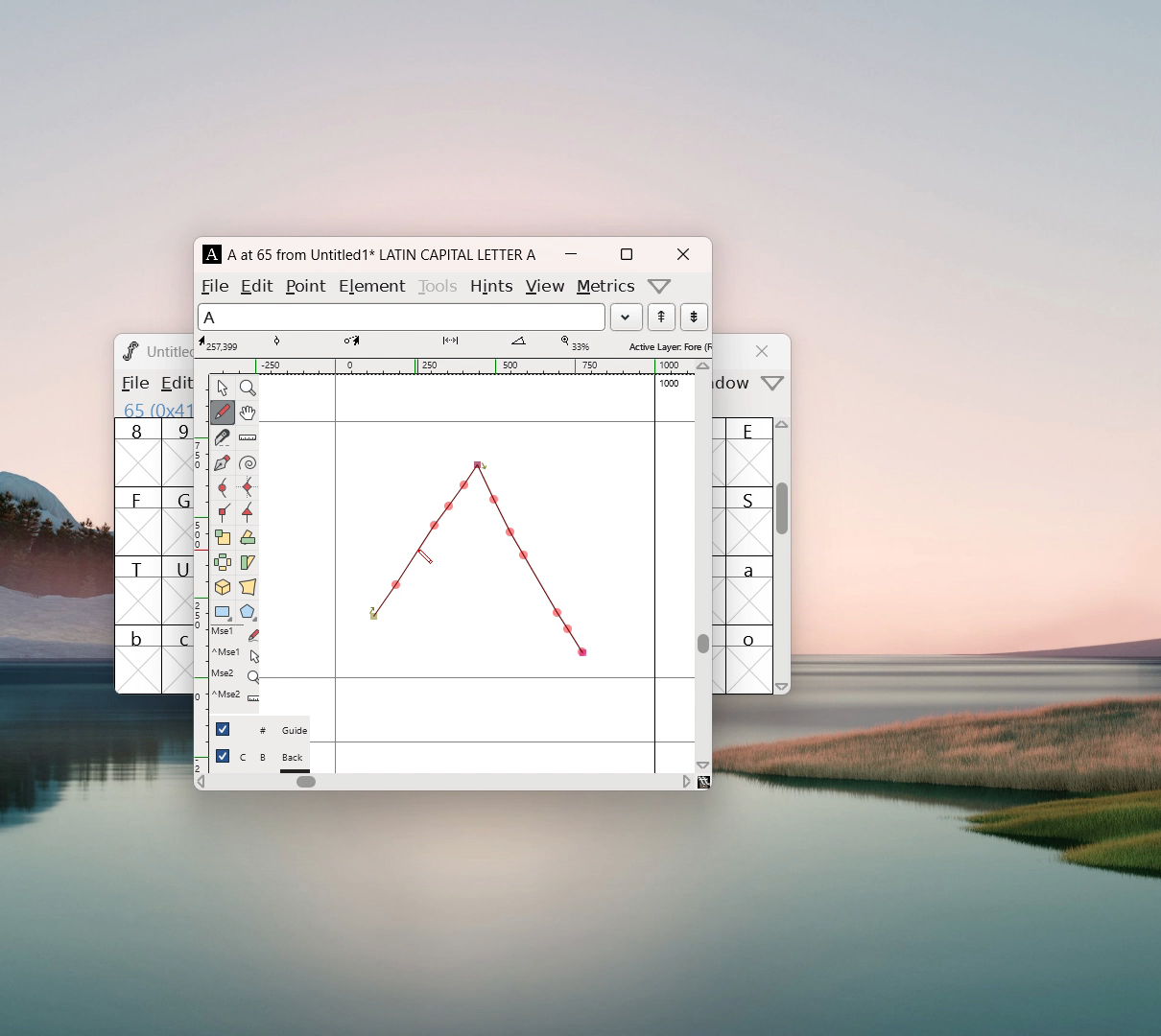 This screenshot has width=1161, height=1036. What do you see at coordinates (452, 366) in the screenshot?
I see `horizontal ruler` at bounding box center [452, 366].